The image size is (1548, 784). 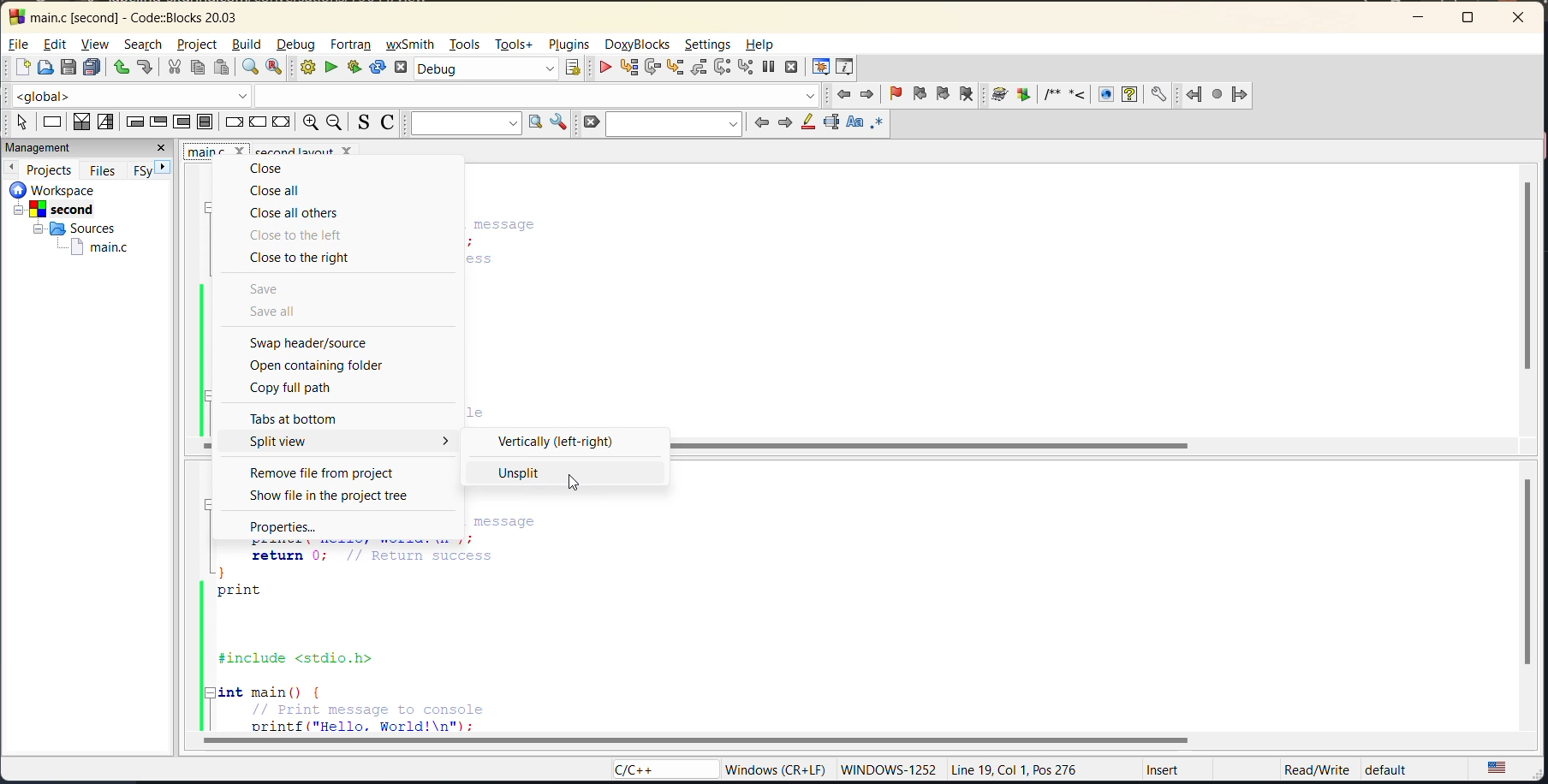 I want to click on files, so click(x=106, y=169).